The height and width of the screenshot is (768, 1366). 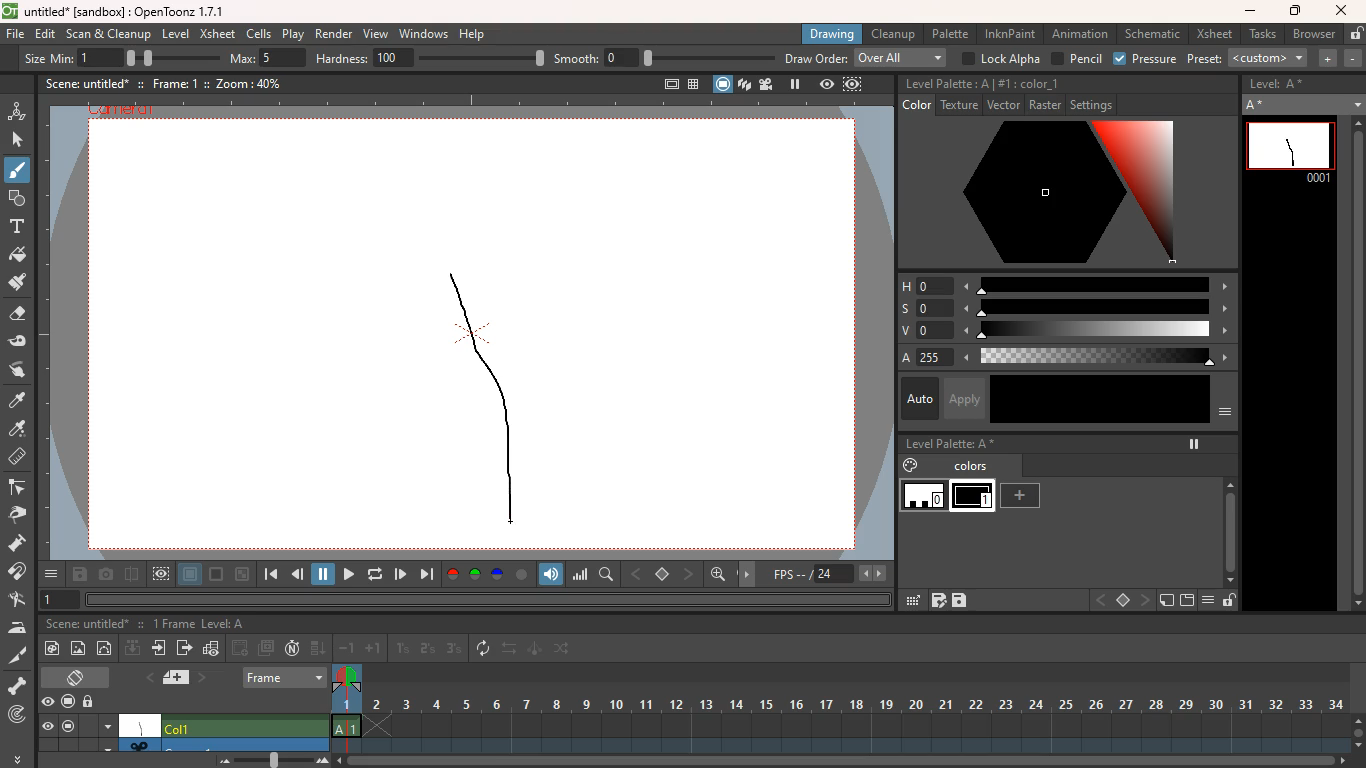 What do you see at coordinates (1055, 195) in the screenshot?
I see `color` at bounding box center [1055, 195].